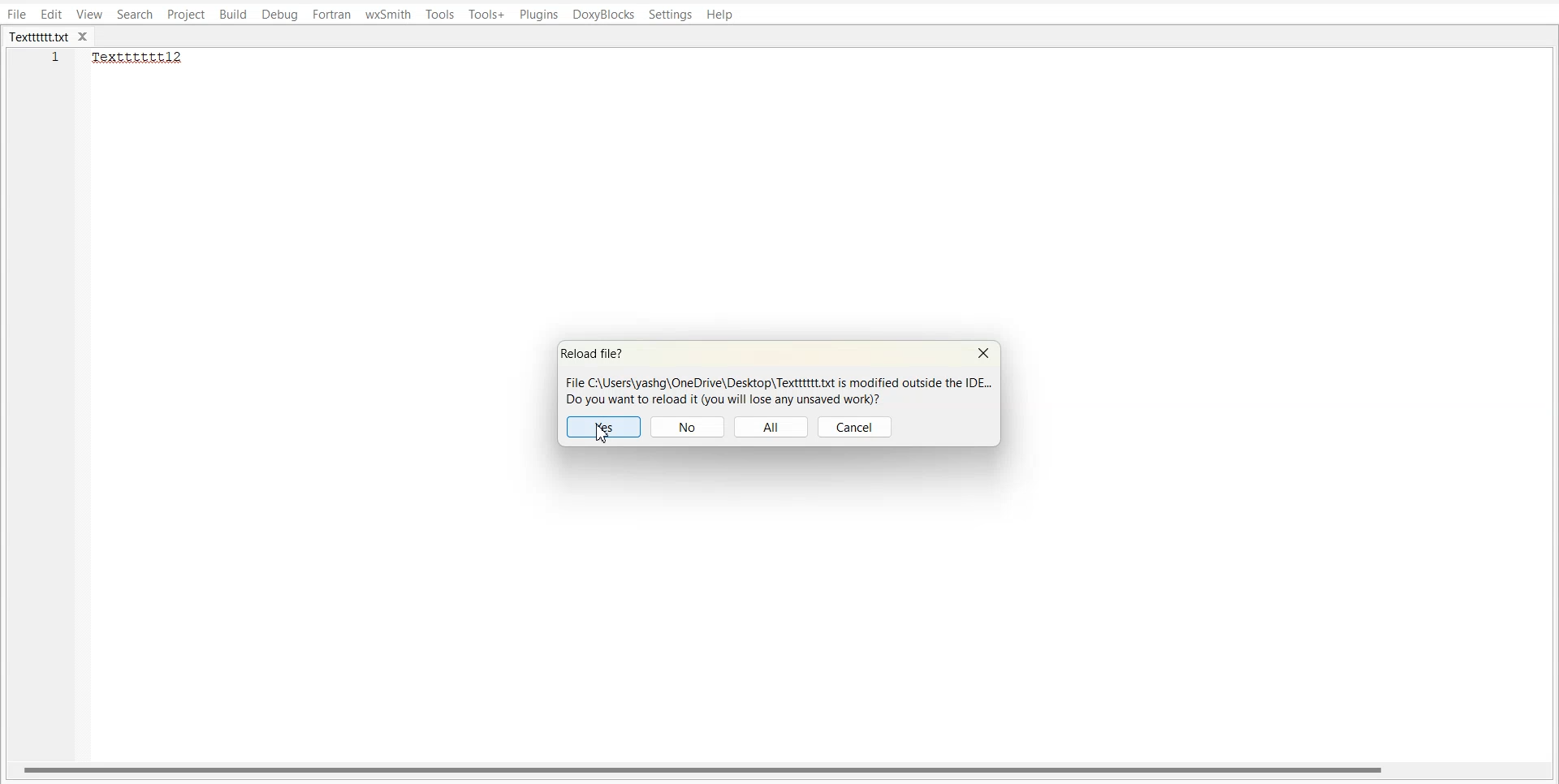 The image size is (1559, 784). I want to click on DoxyBlocks, so click(603, 15).